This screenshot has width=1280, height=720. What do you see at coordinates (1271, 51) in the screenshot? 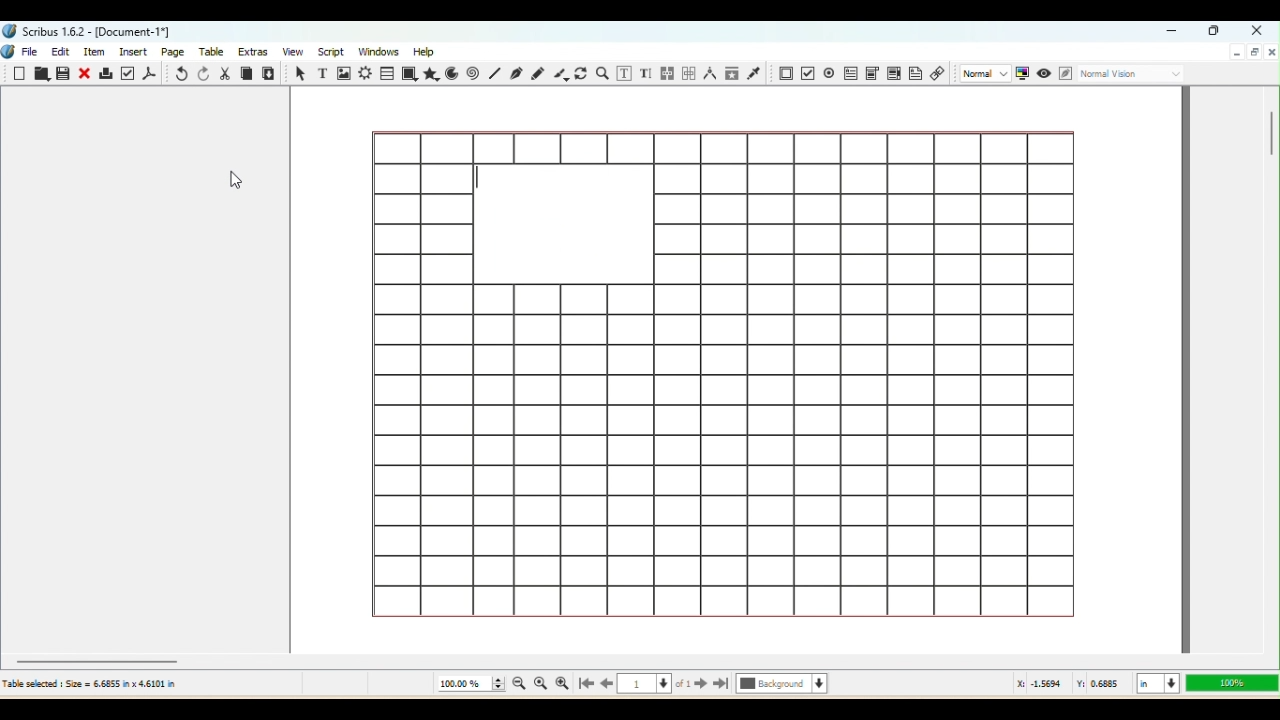
I see `Close document` at bounding box center [1271, 51].